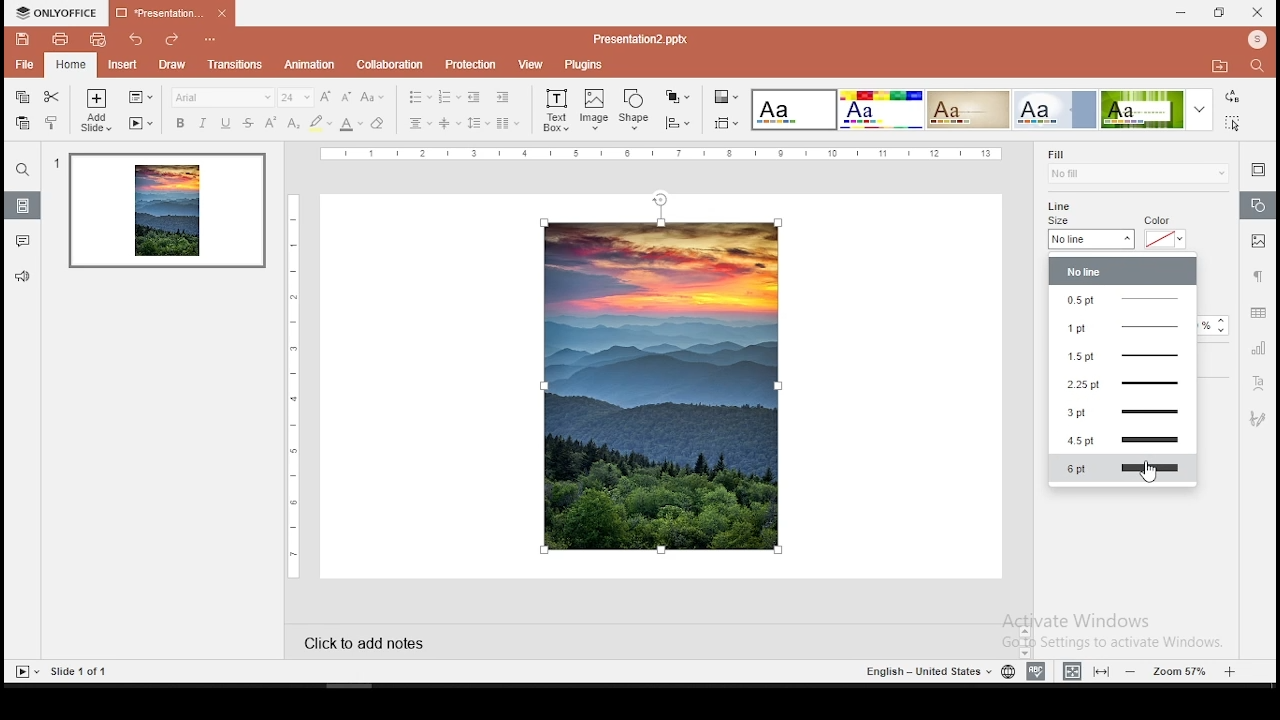  Describe the element at coordinates (223, 98) in the screenshot. I see `font` at that location.